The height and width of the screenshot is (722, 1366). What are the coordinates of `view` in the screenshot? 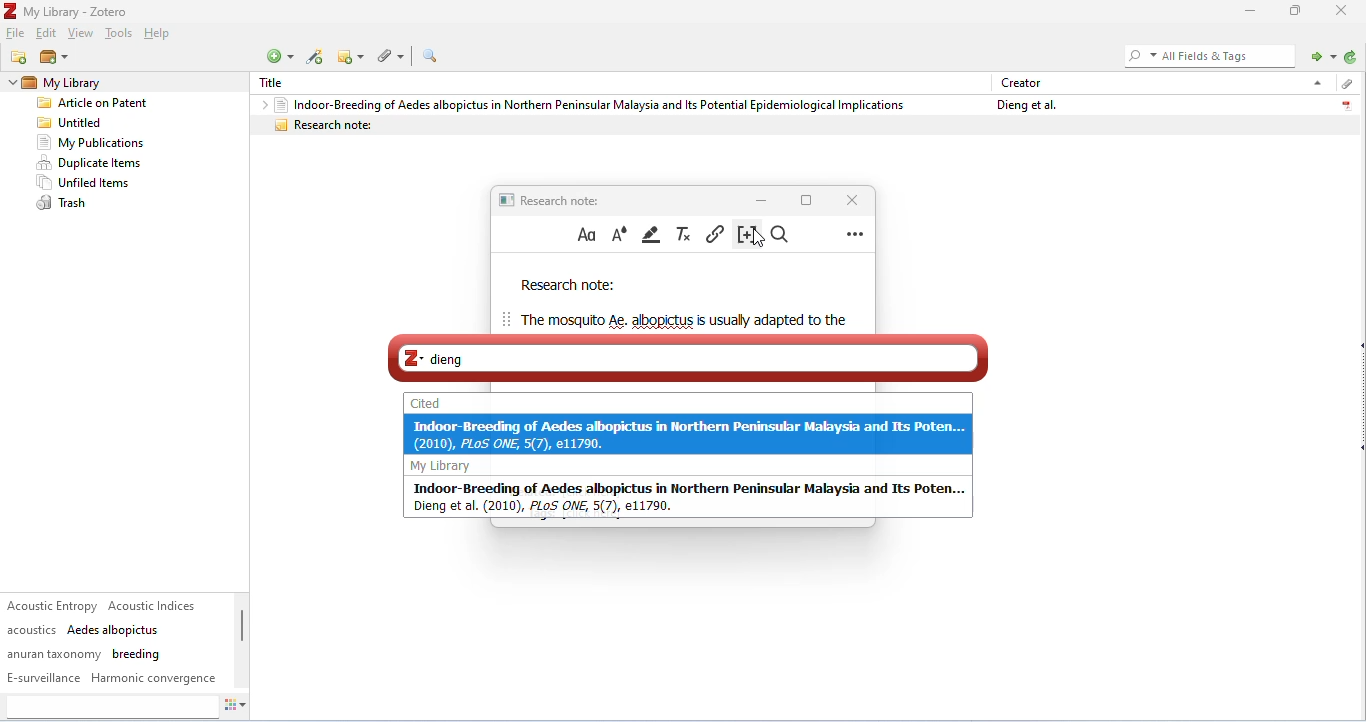 It's located at (81, 34).